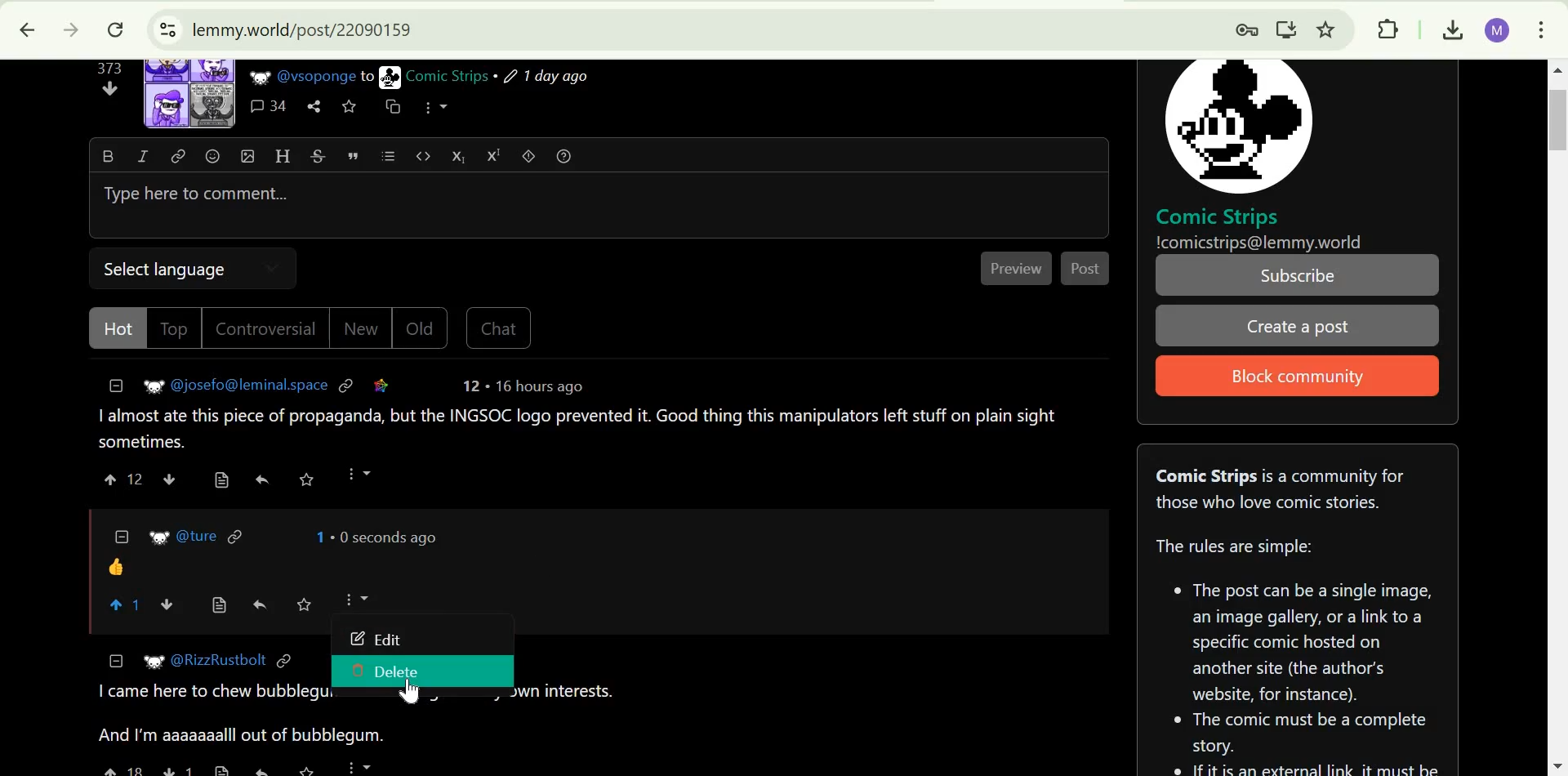 Image resolution: width=1568 pixels, height=776 pixels. What do you see at coordinates (390, 77) in the screenshot?
I see `picture` at bounding box center [390, 77].